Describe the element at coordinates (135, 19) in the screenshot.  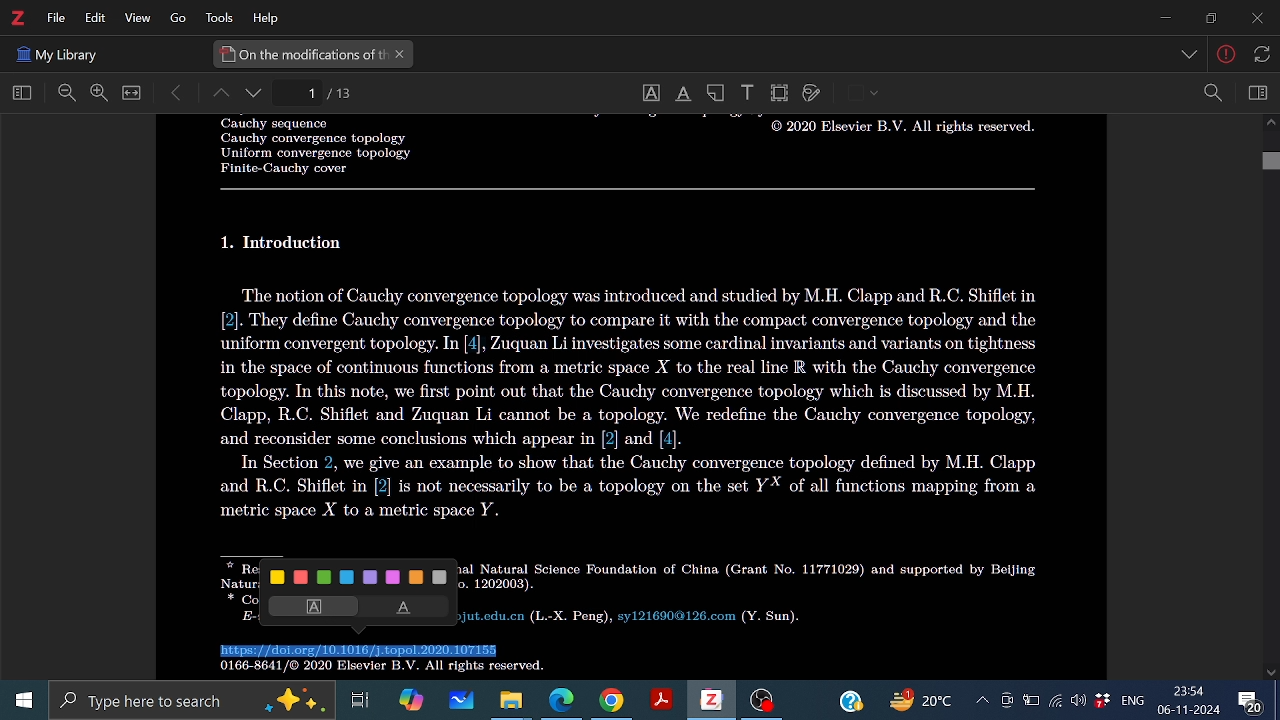
I see `View` at that location.